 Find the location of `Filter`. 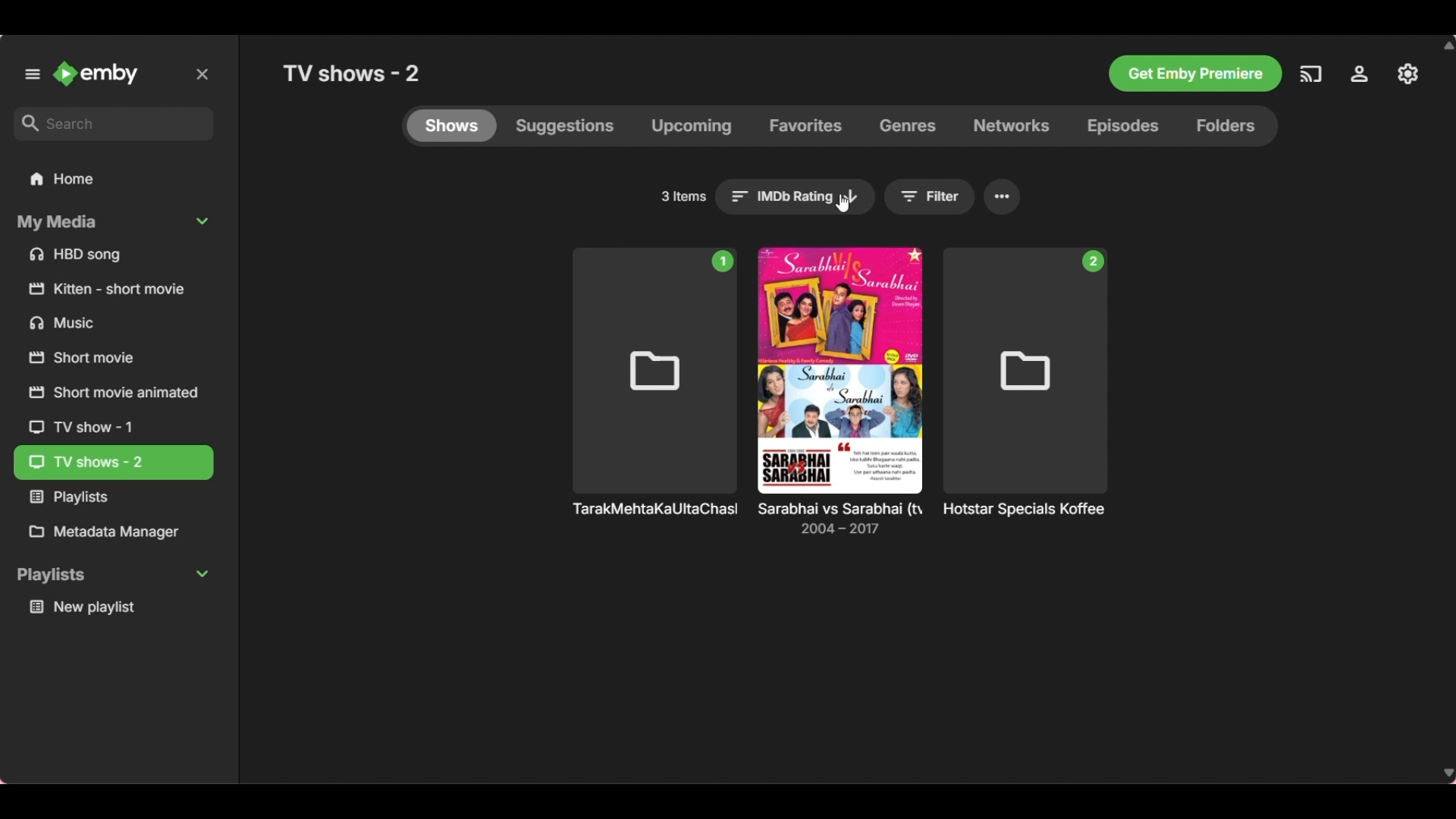

Filter is located at coordinates (930, 197).